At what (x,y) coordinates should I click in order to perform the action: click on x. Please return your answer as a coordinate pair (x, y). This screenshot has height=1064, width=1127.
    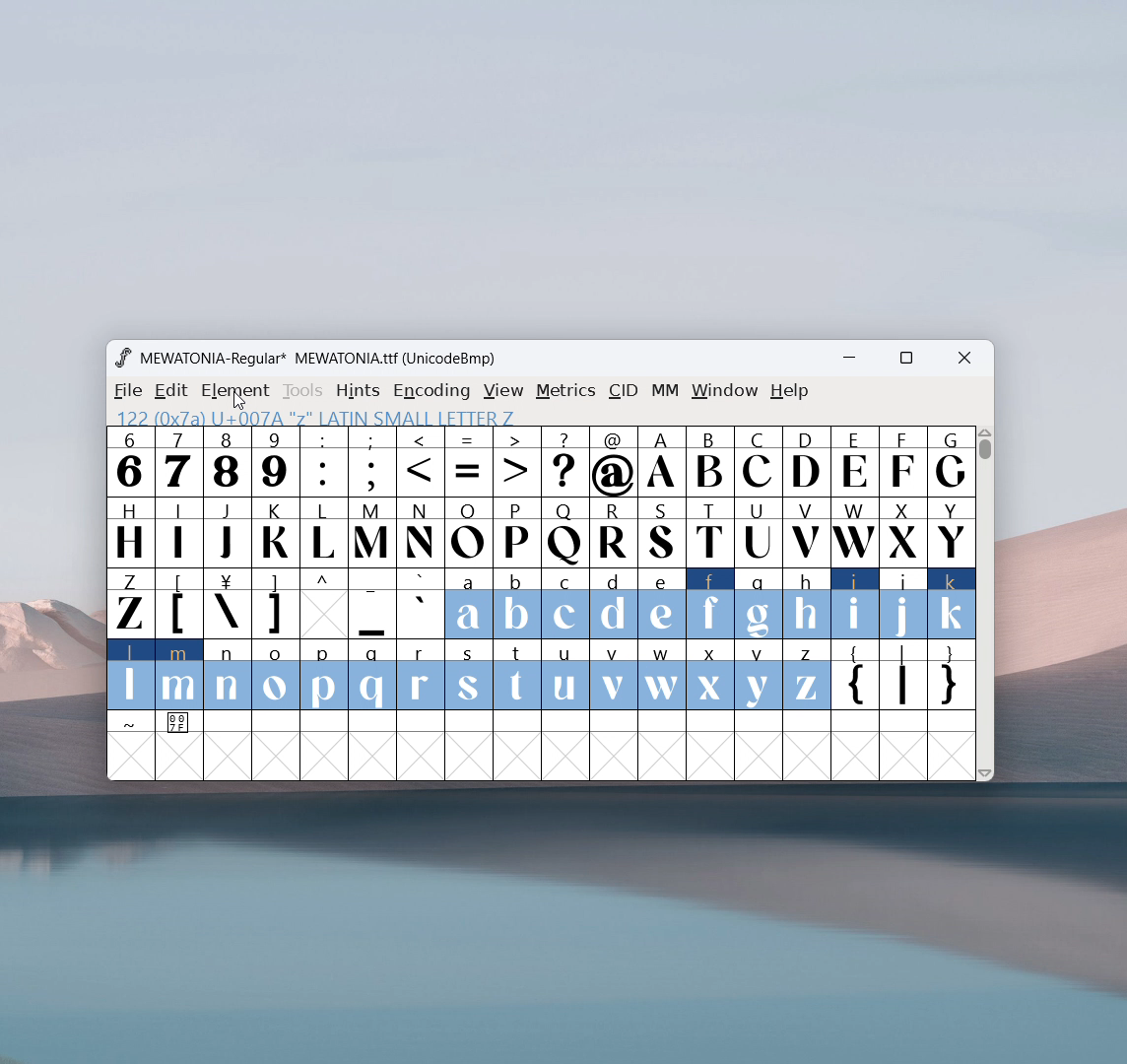
    Looking at the image, I should click on (711, 674).